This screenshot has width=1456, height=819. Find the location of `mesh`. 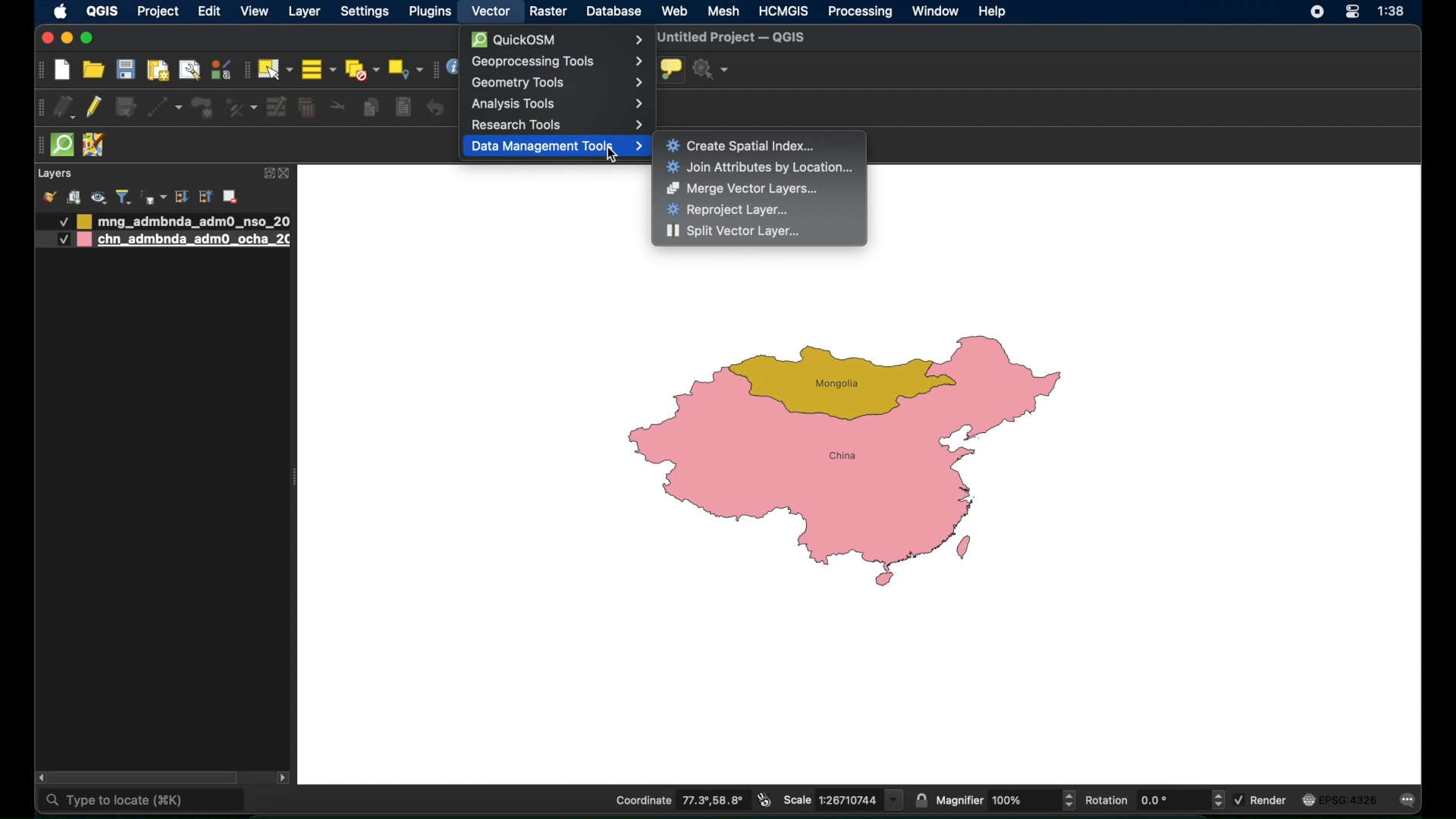

mesh is located at coordinates (723, 11).